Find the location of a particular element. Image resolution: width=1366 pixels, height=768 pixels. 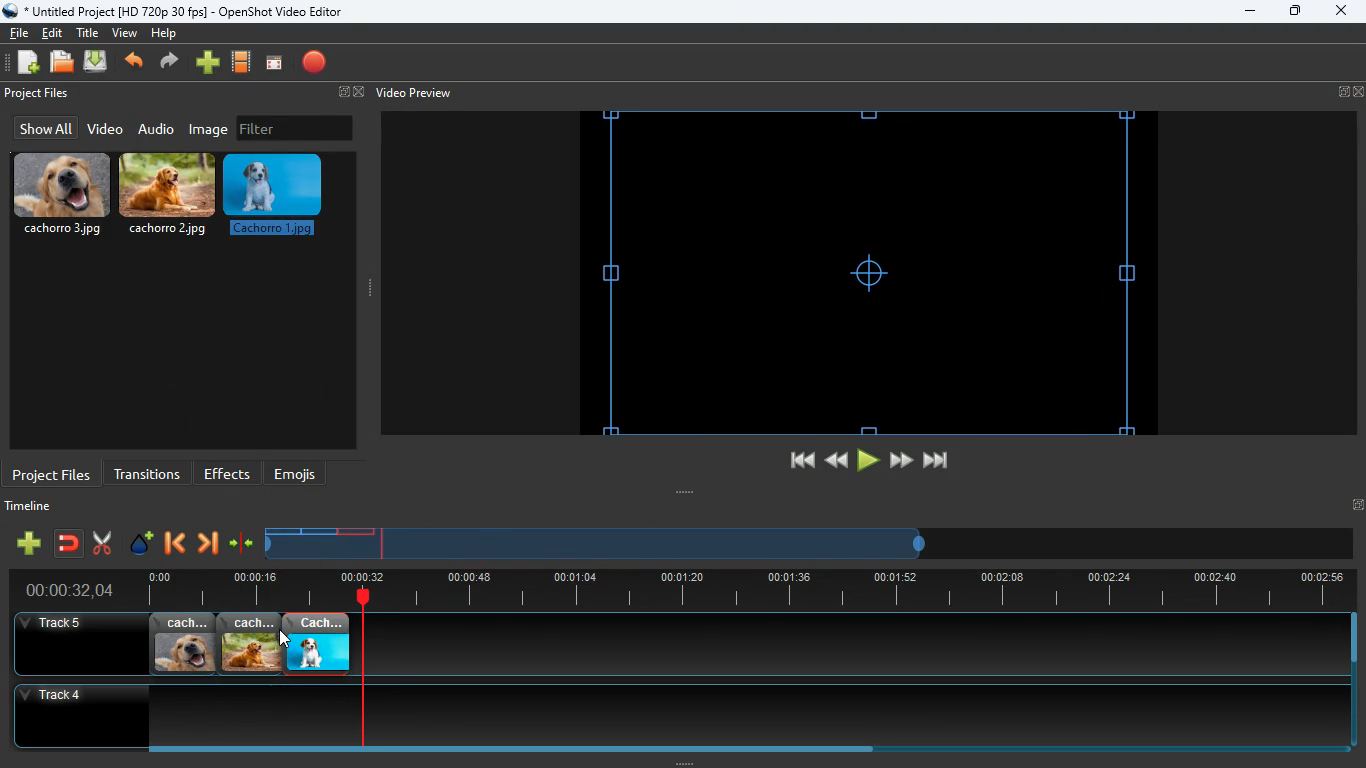

back is located at coordinates (834, 460).